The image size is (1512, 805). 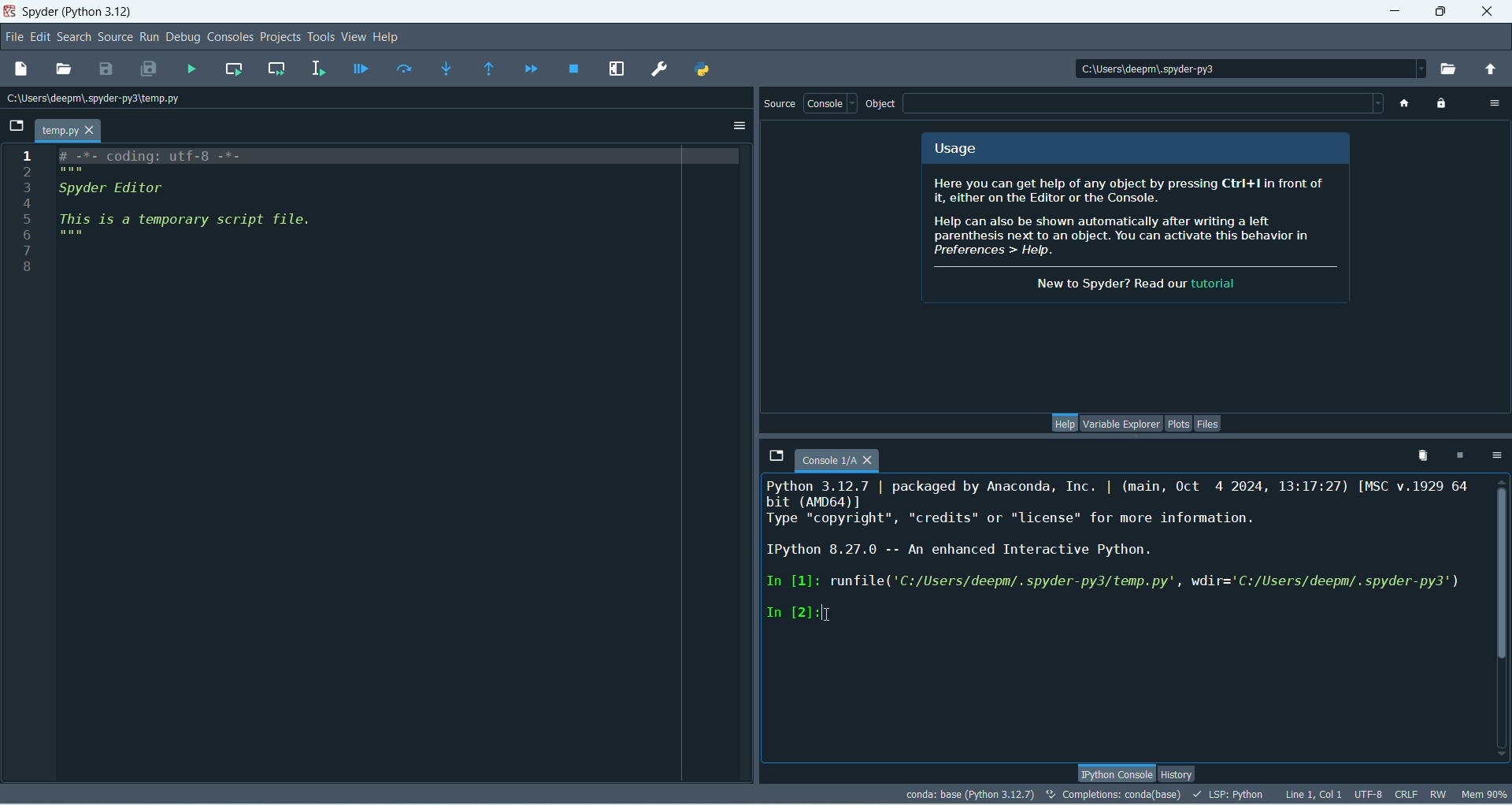 What do you see at coordinates (531, 69) in the screenshot?
I see `continue execution until next breakpoint` at bounding box center [531, 69].